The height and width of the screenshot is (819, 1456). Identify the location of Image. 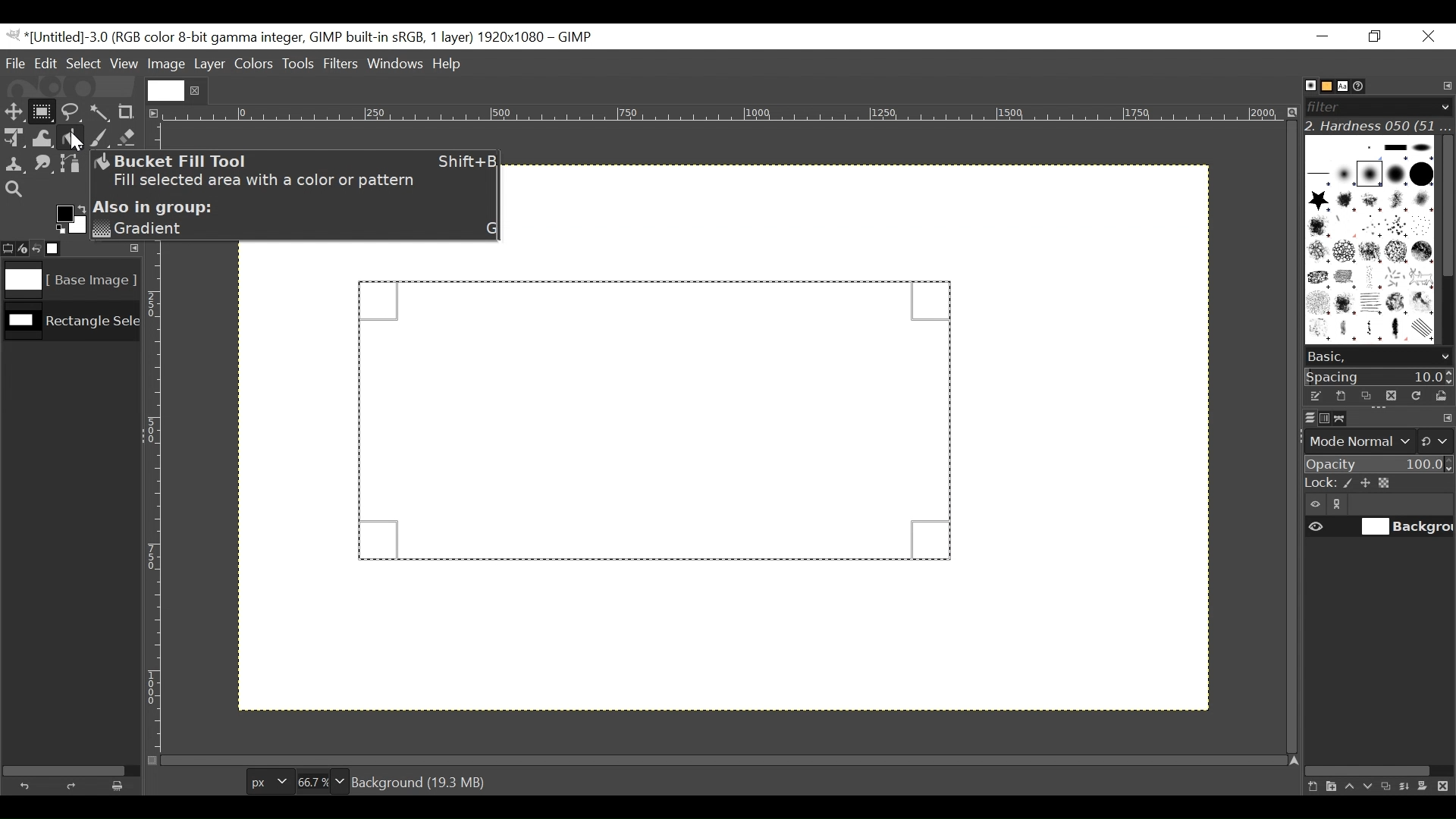
(166, 64).